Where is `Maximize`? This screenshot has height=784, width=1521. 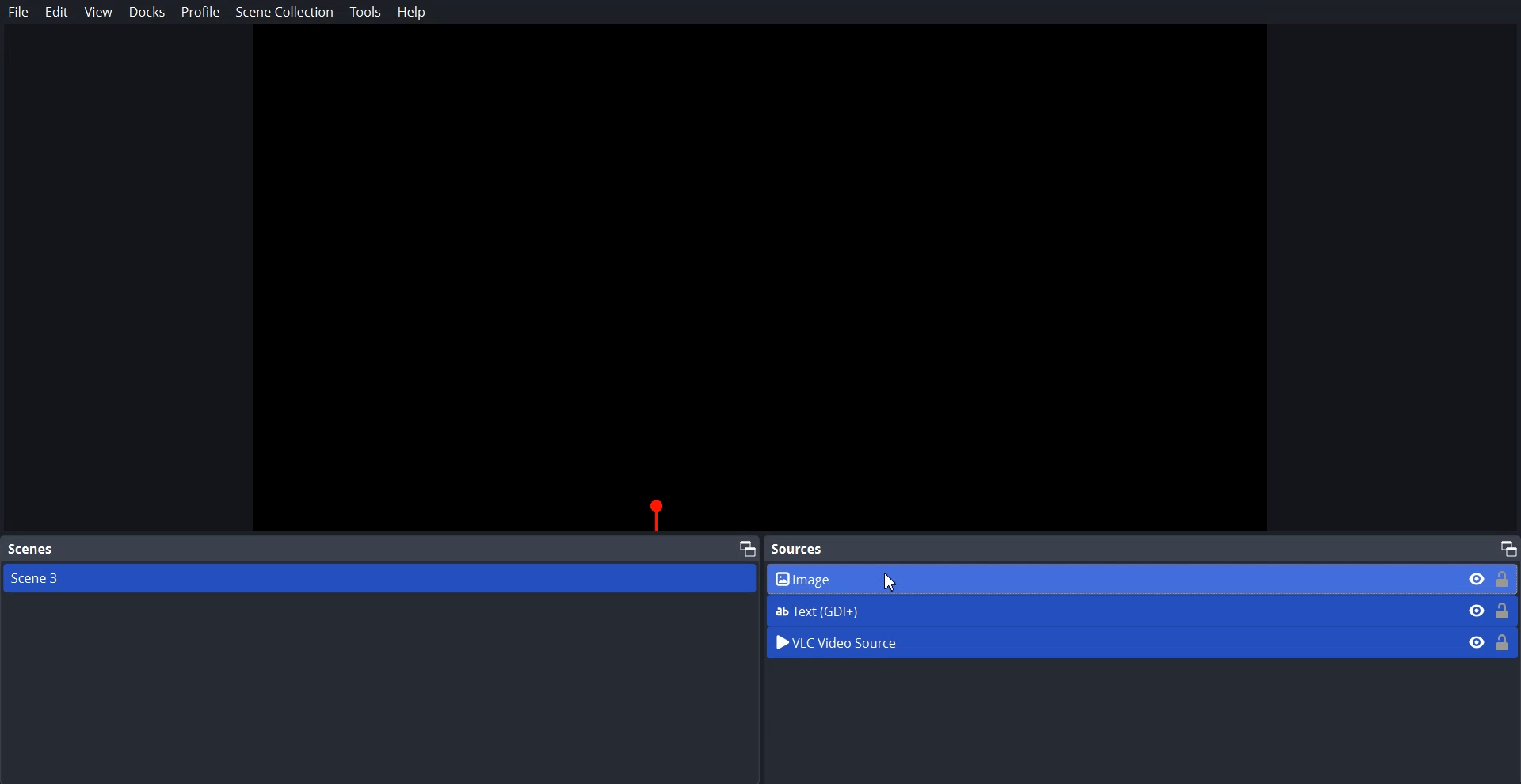 Maximize is located at coordinates (748, 547).